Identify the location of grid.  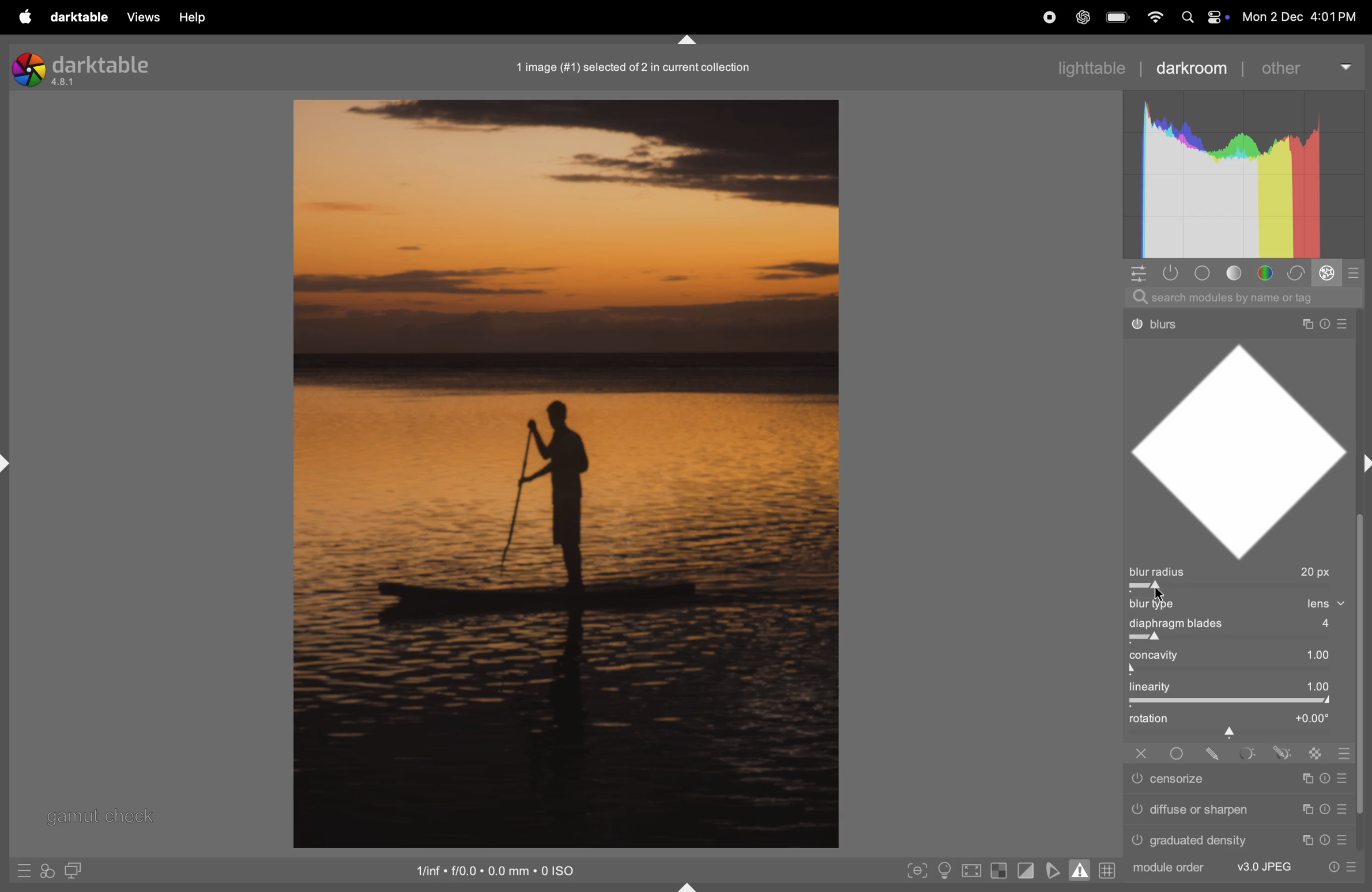
(1108, 870).